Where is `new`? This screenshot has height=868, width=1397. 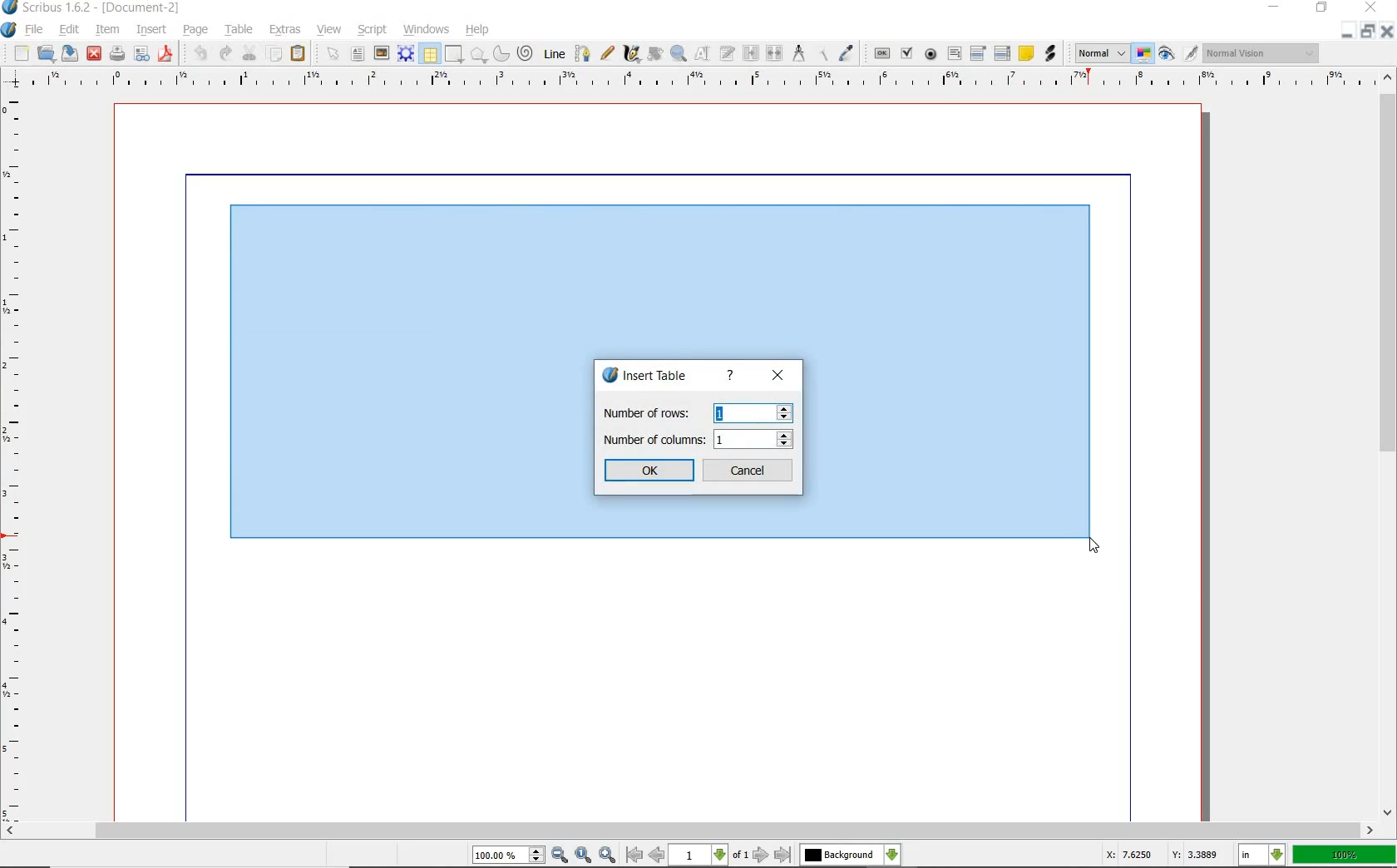
new is located at coordinates (22, 52).